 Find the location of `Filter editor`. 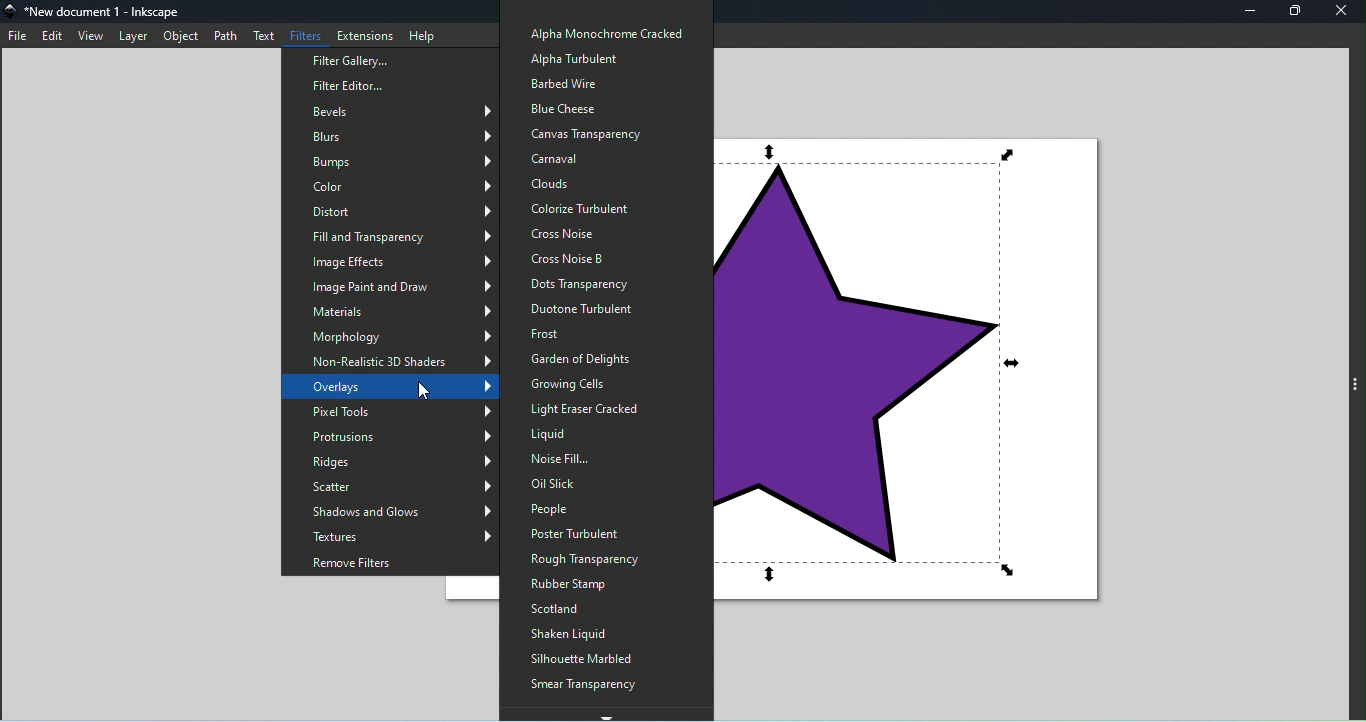

Filter editor is located at coordinates (367, 88).